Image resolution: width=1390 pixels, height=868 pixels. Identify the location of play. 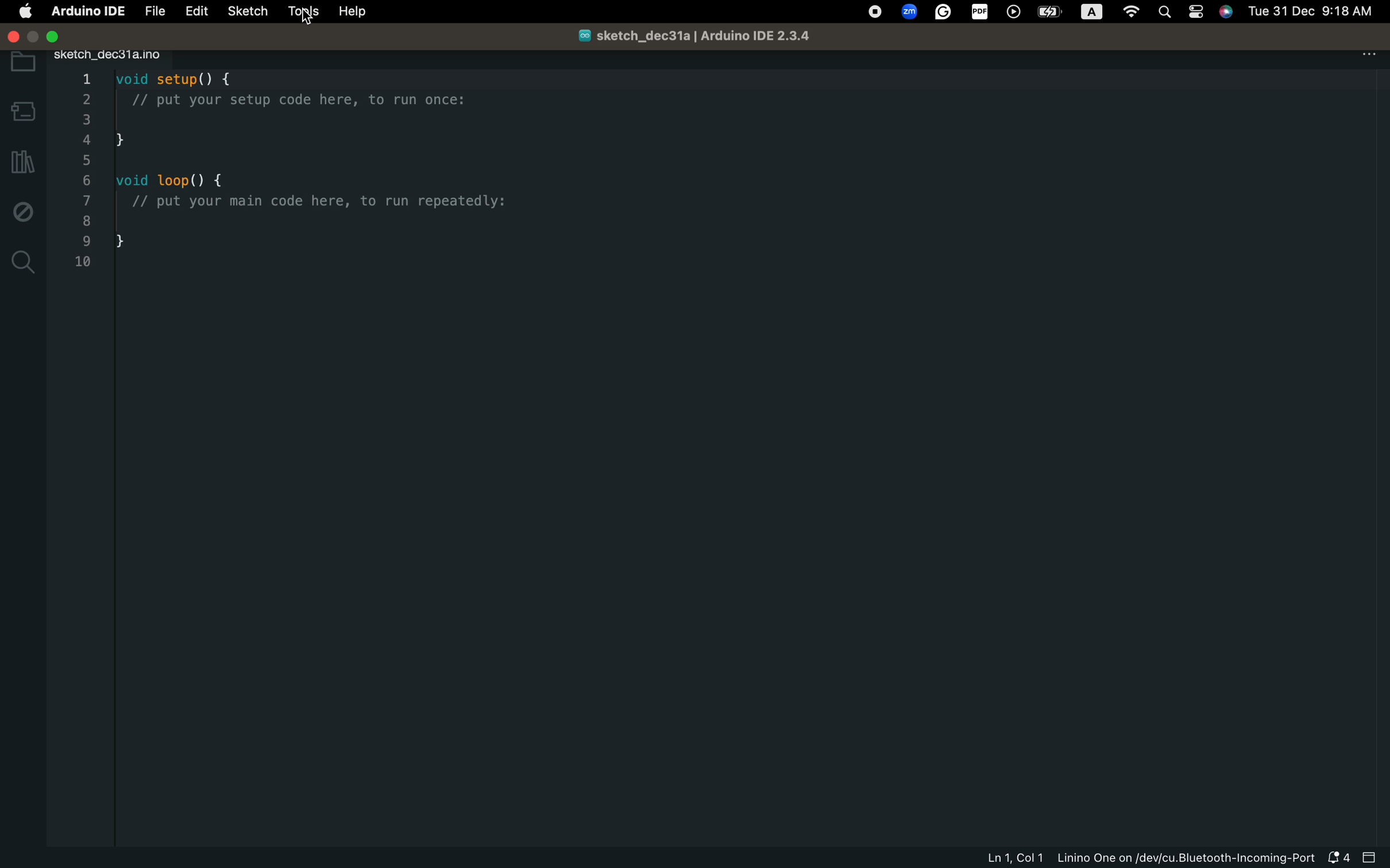
(1014, 13).